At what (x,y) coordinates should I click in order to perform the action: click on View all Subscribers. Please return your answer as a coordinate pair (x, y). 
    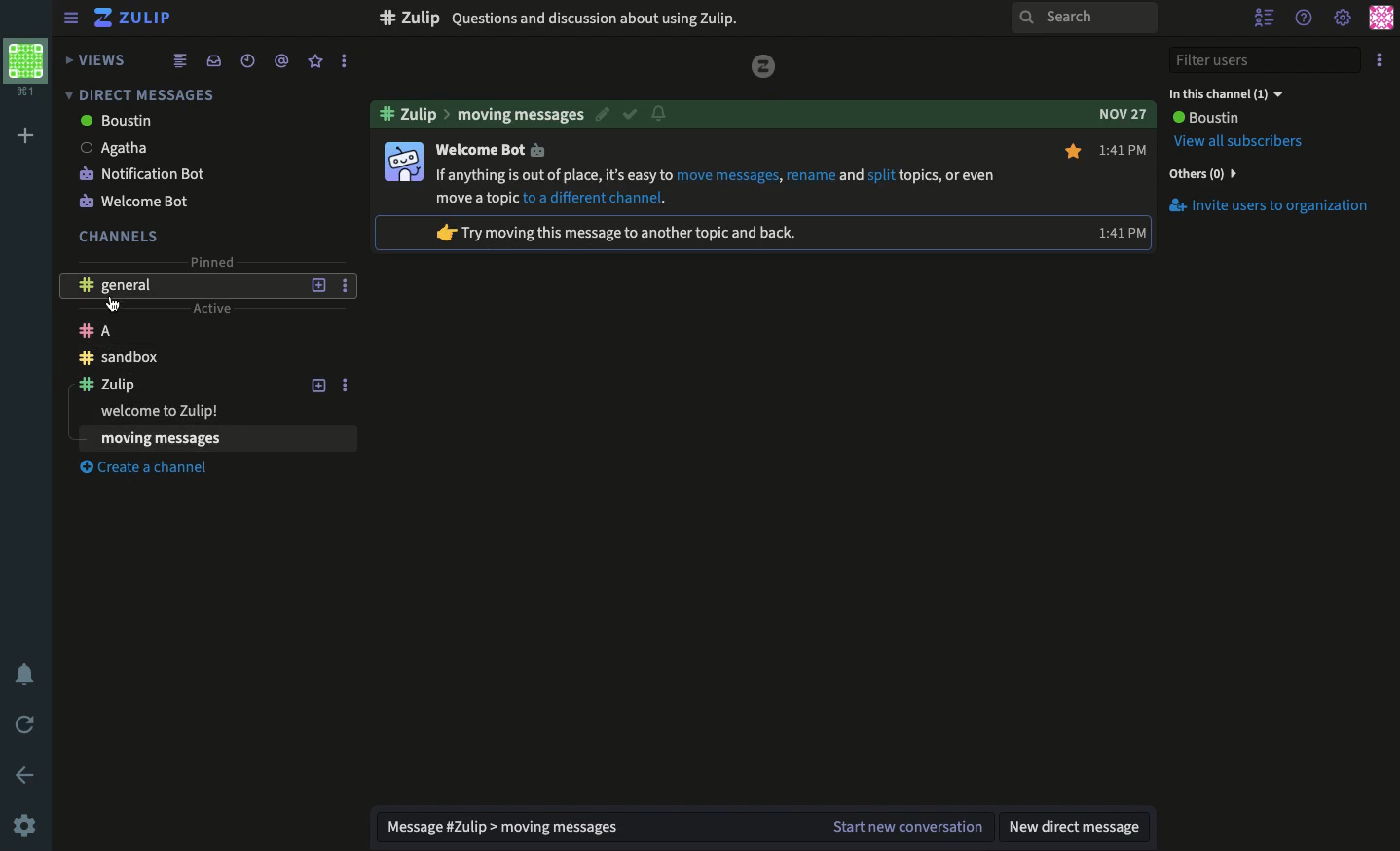
    Looking at the image, I should click on (1242, 141).